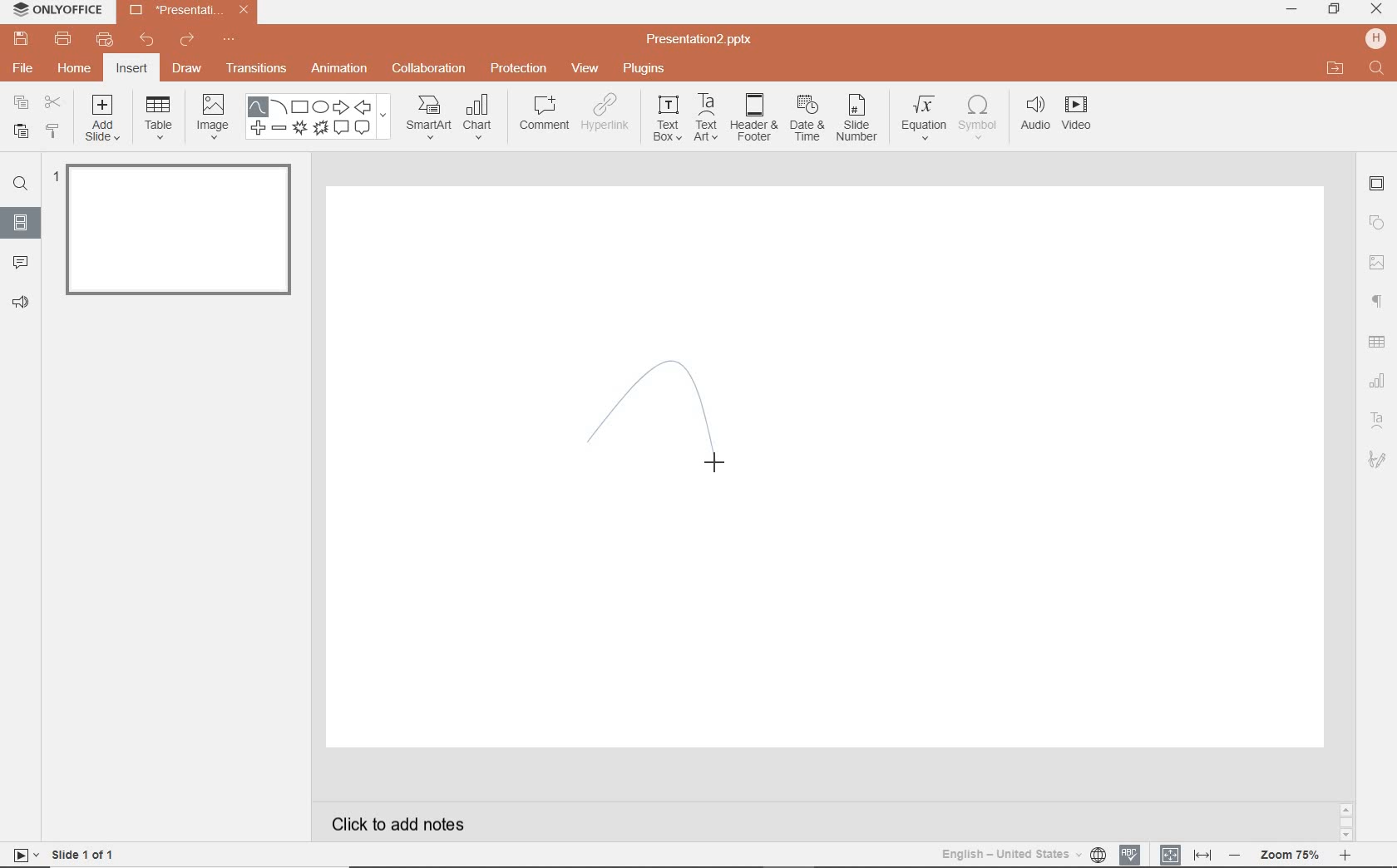 The image size is (1397, 868). What do you see at coordinates (104, 121) in the screenshot?
I see `ADD SLIDE` at bounding box center [104, 121].